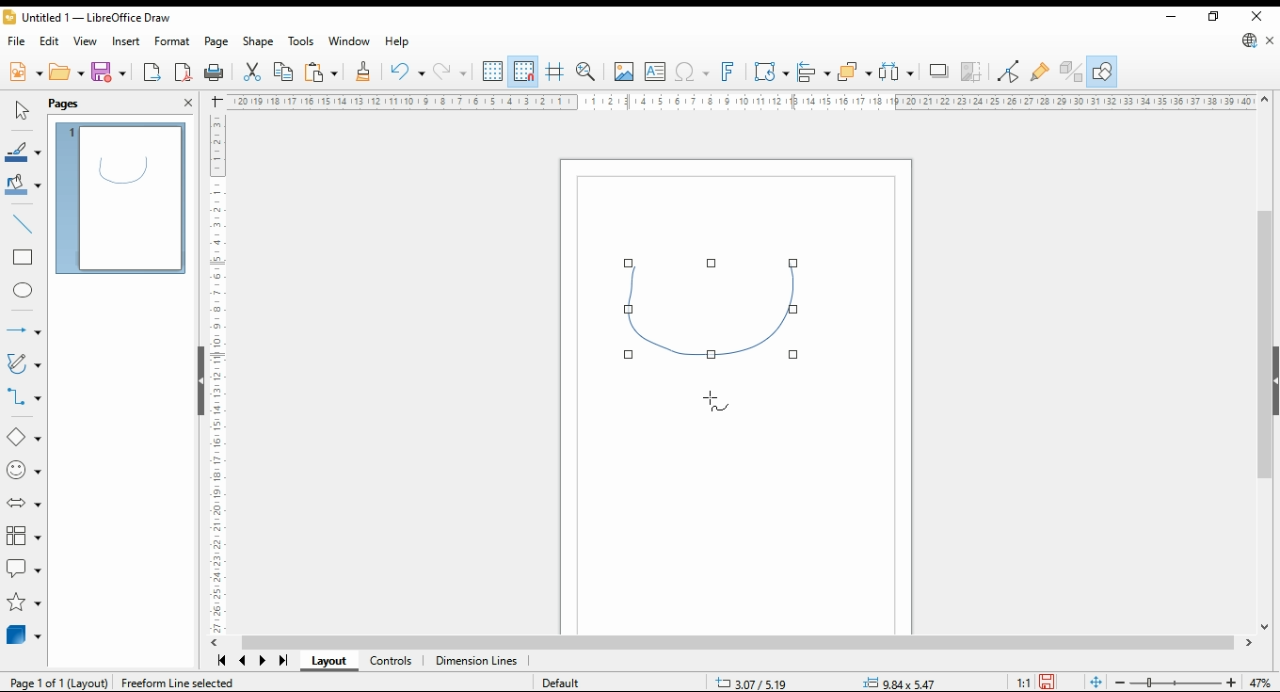 The image size is (1280, 692). What do you see at coordinates (623, 72) in the screenshot?
I see `insert image` at bounding box center [623, 72].